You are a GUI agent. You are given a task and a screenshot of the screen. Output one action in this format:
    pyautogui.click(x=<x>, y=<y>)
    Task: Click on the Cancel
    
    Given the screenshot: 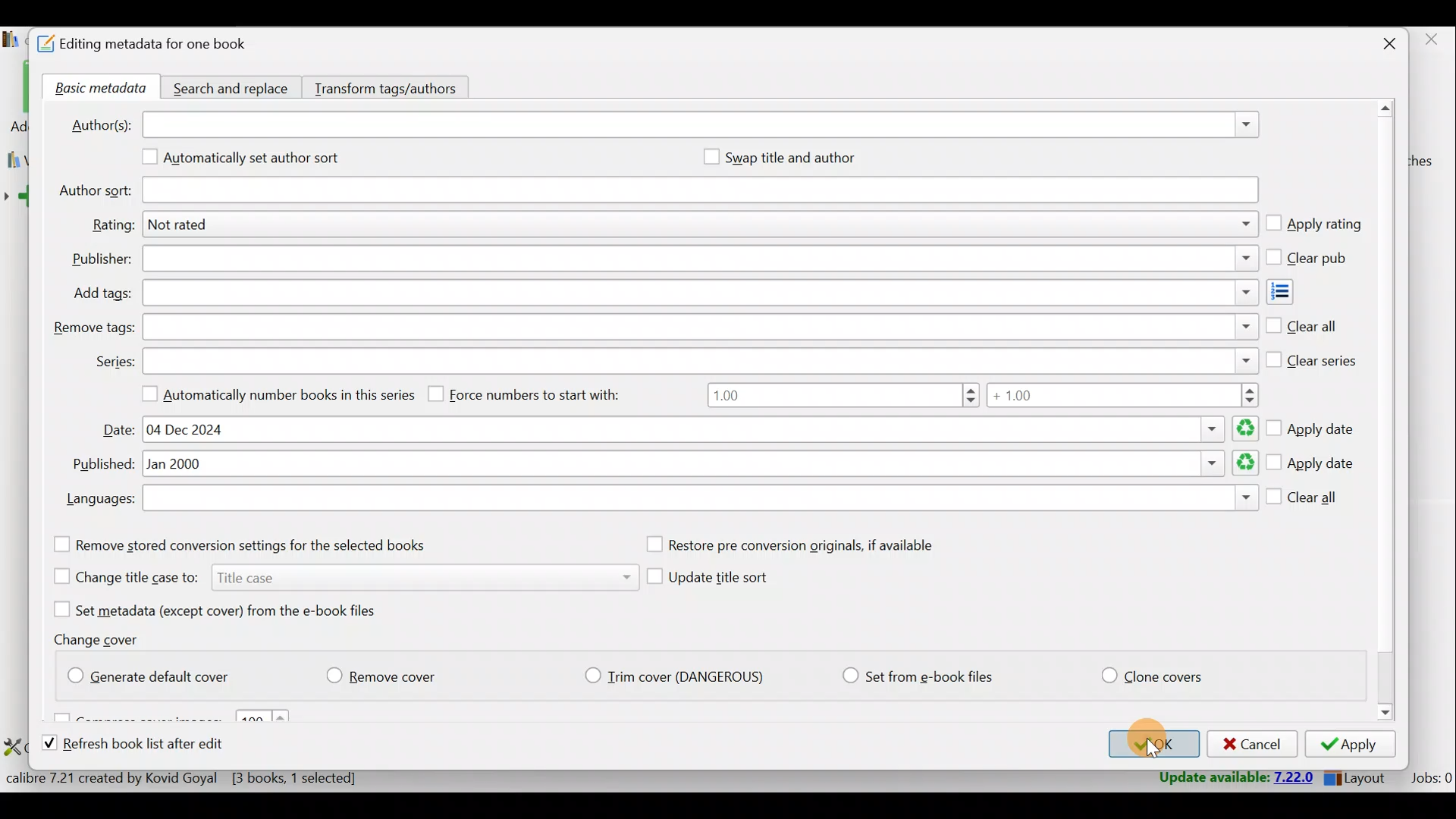 What is the action you would take?
    pyautogui.click(x=1250, y=745)
    